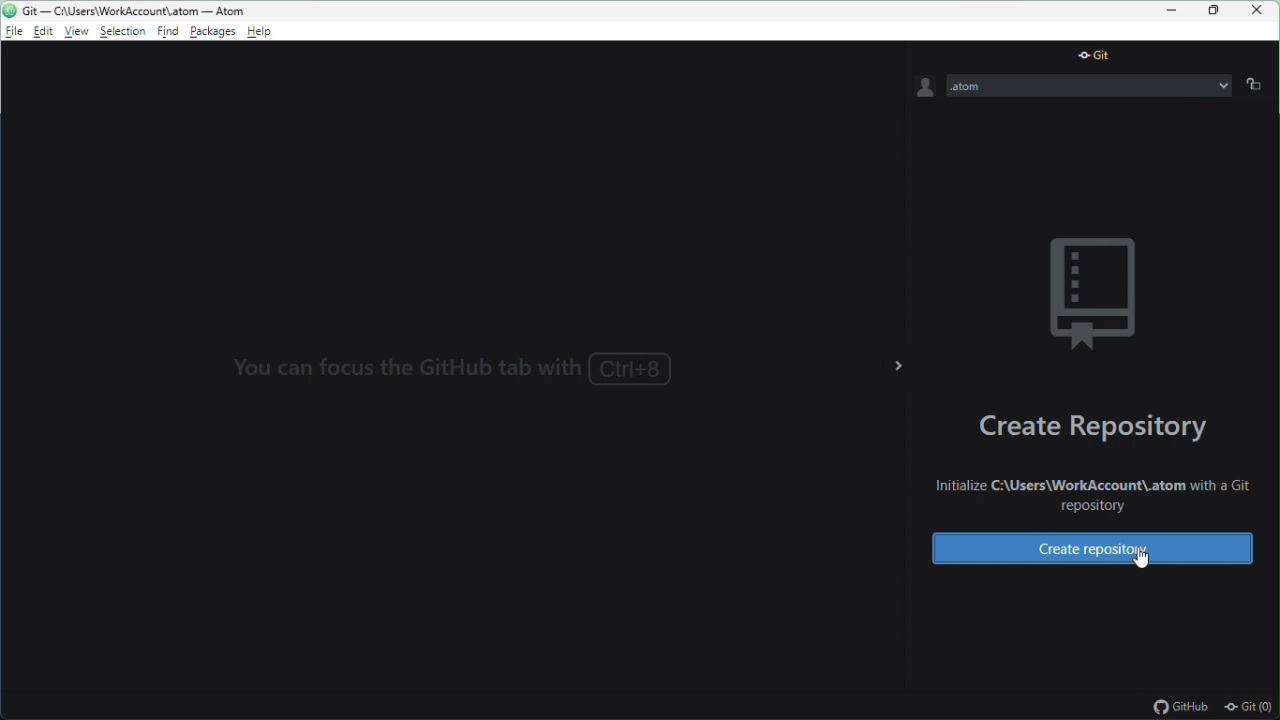  Describe the element at coordinates (46, 32) in the screenshot. I see `edit` at that location.